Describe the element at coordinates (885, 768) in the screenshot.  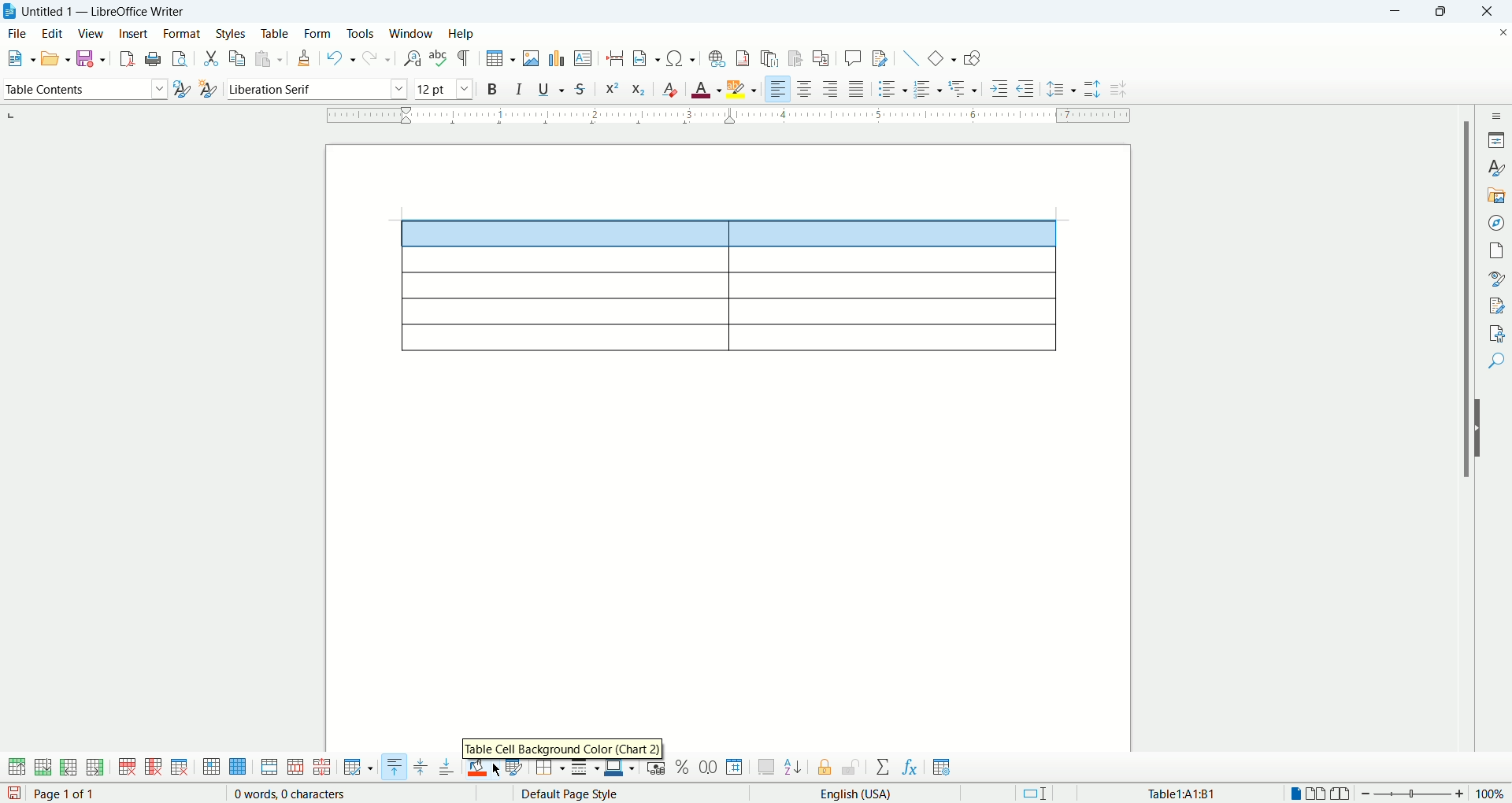
I see `sum` at that location.